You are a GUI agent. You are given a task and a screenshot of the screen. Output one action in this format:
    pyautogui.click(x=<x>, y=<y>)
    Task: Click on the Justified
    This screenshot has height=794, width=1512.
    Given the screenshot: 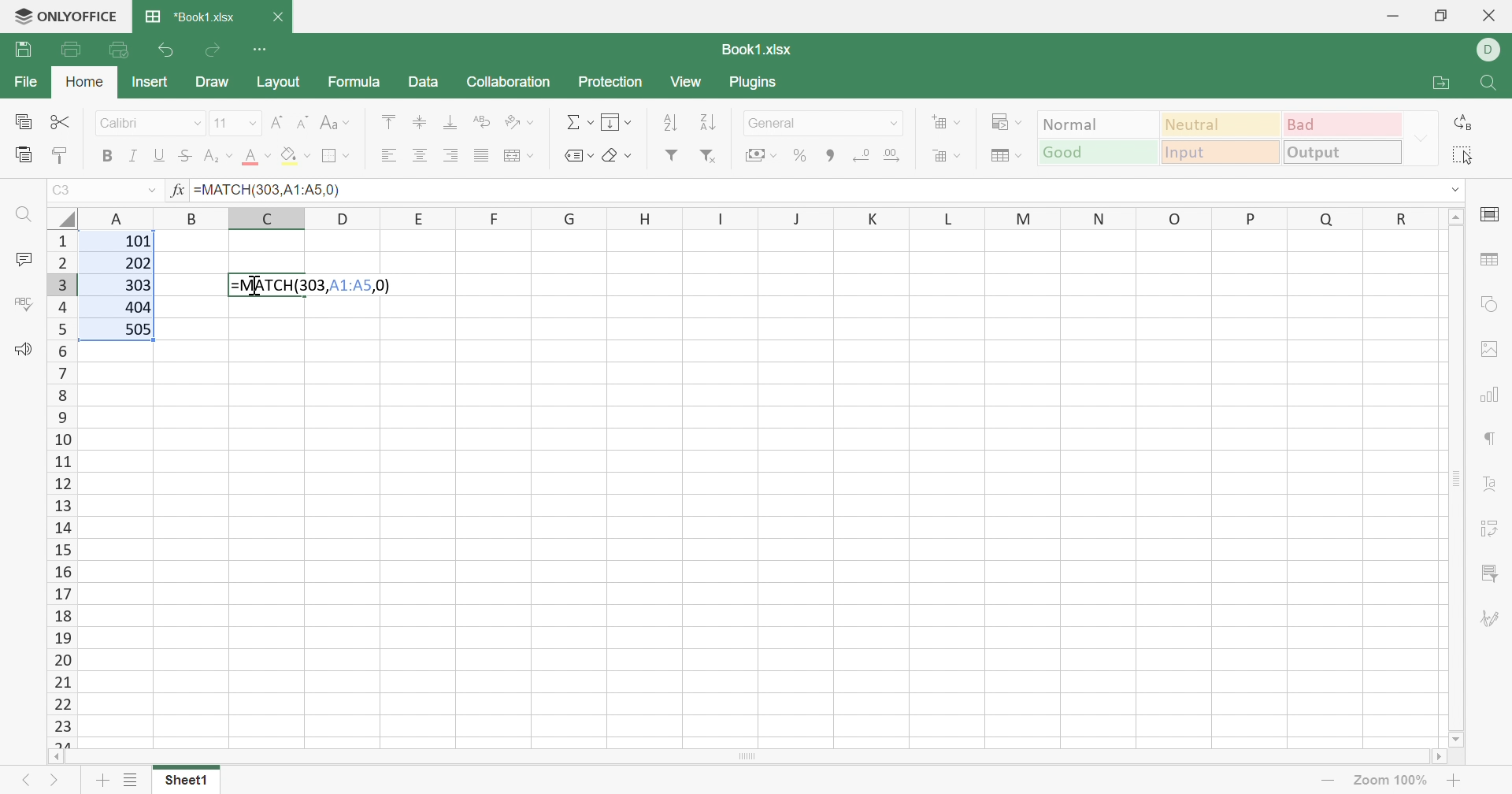 What is the action you would take?
    pyautogui.click(x=484, y=154)
    